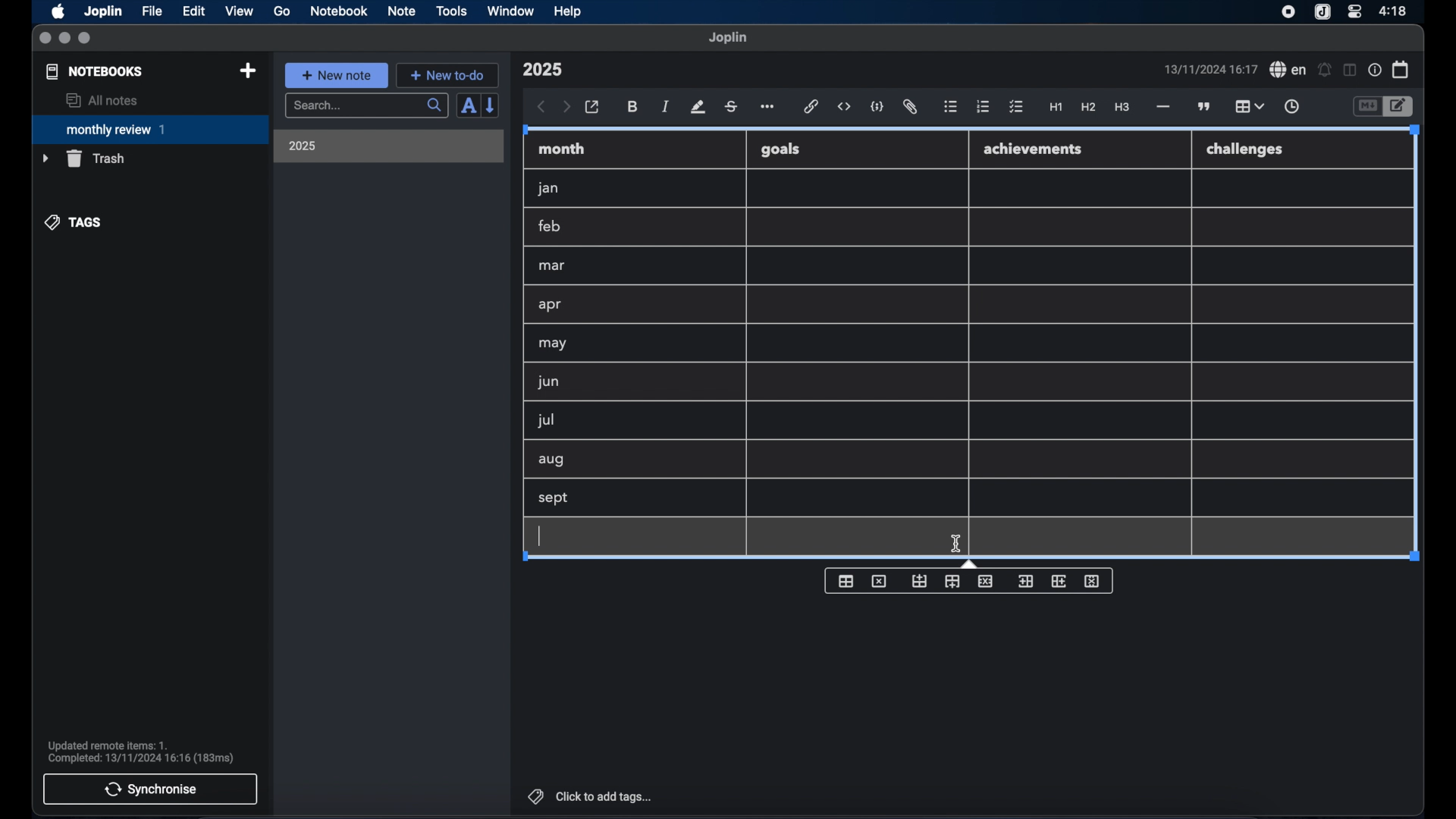 This screenshot has height=819, width=1456. What do you see at coordinates (195, 11) in the screenshot?
I see `edit` at bounding box center [195, 11].